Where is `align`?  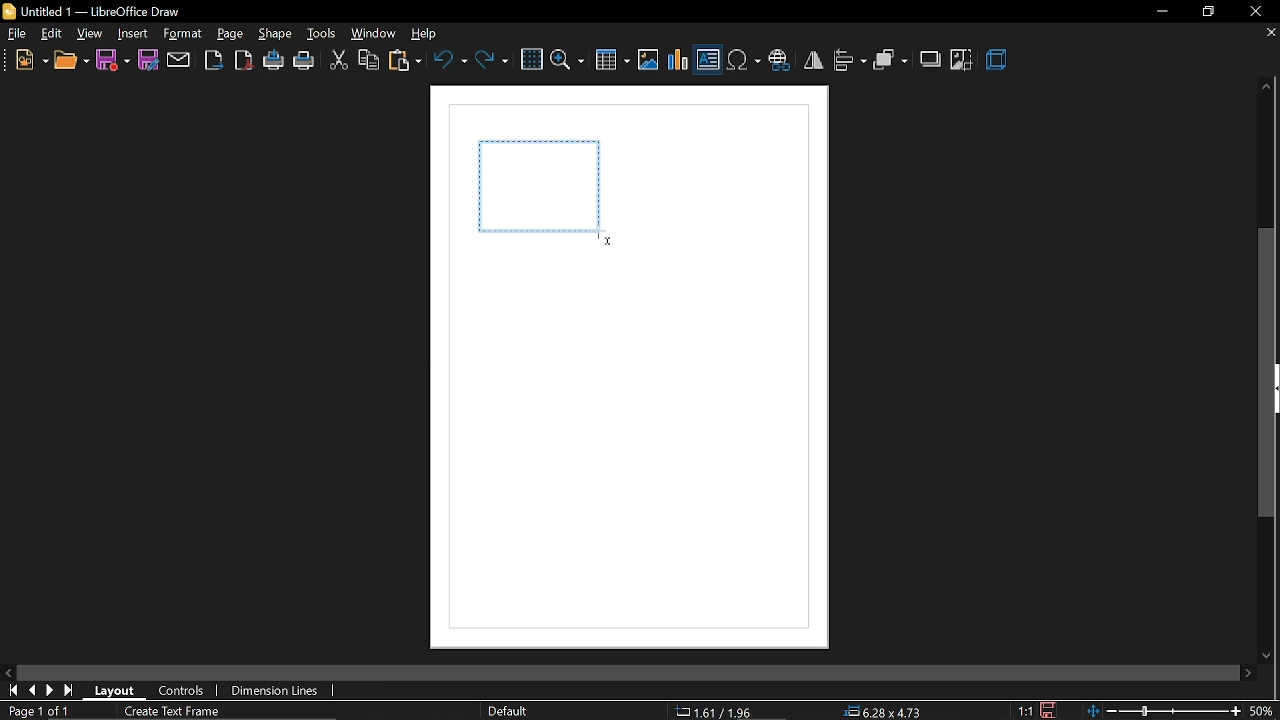
align is located at coordinates (850, 60).